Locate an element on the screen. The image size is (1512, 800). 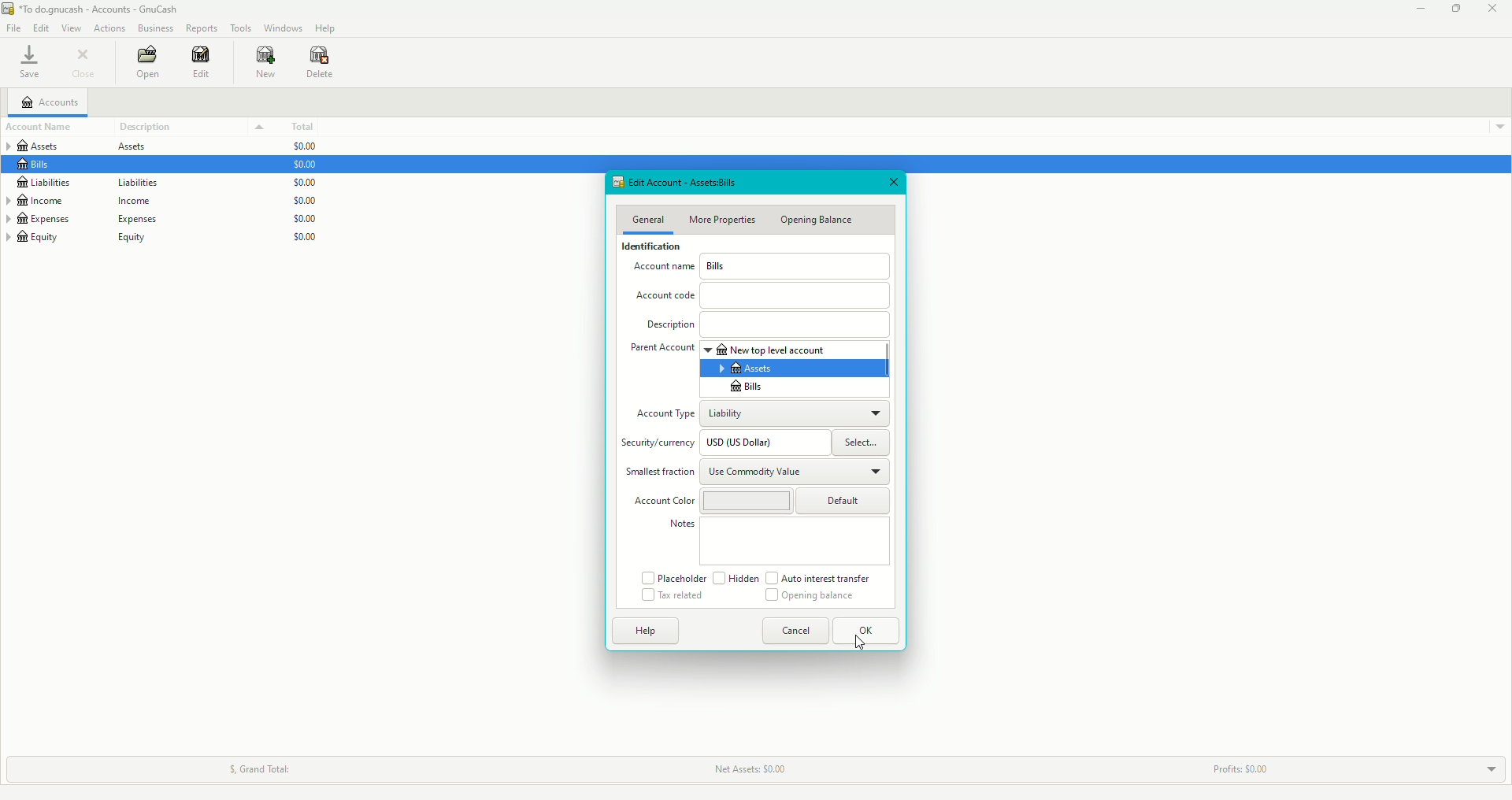
Drop down is located at coordinates (1488, 767).